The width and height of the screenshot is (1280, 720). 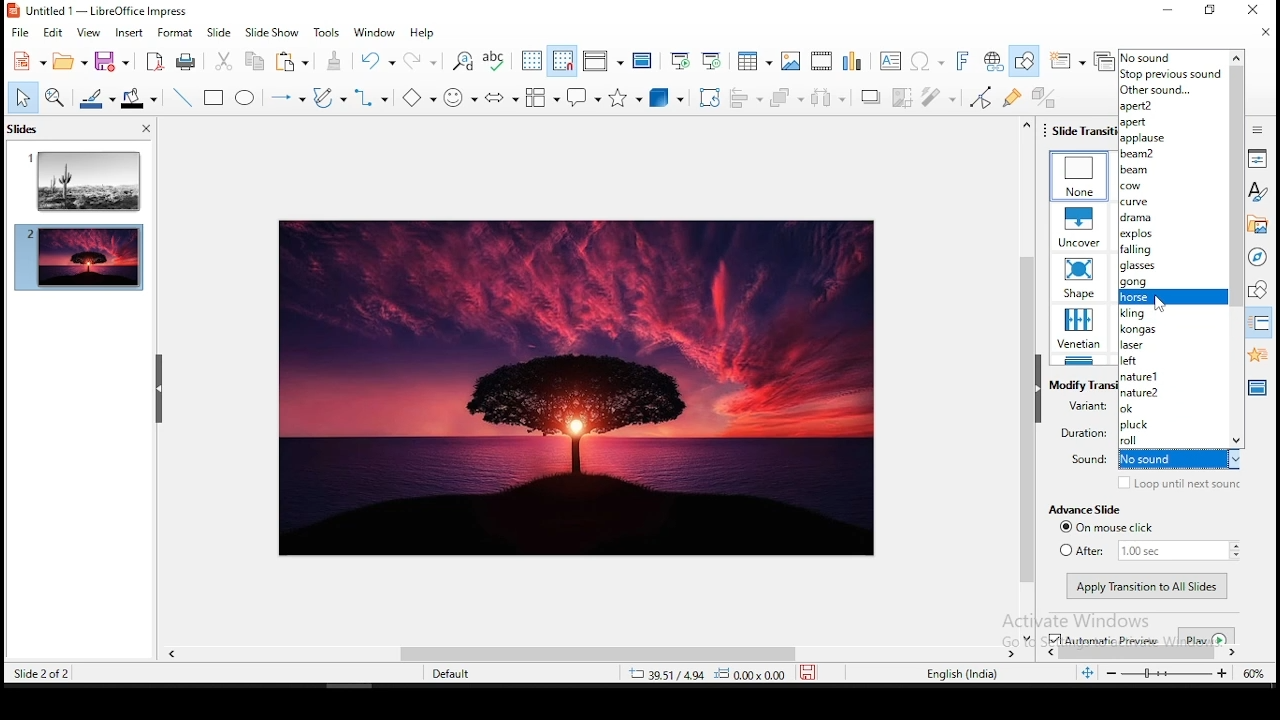 I want to click on edit, so click(x=55, y=34).